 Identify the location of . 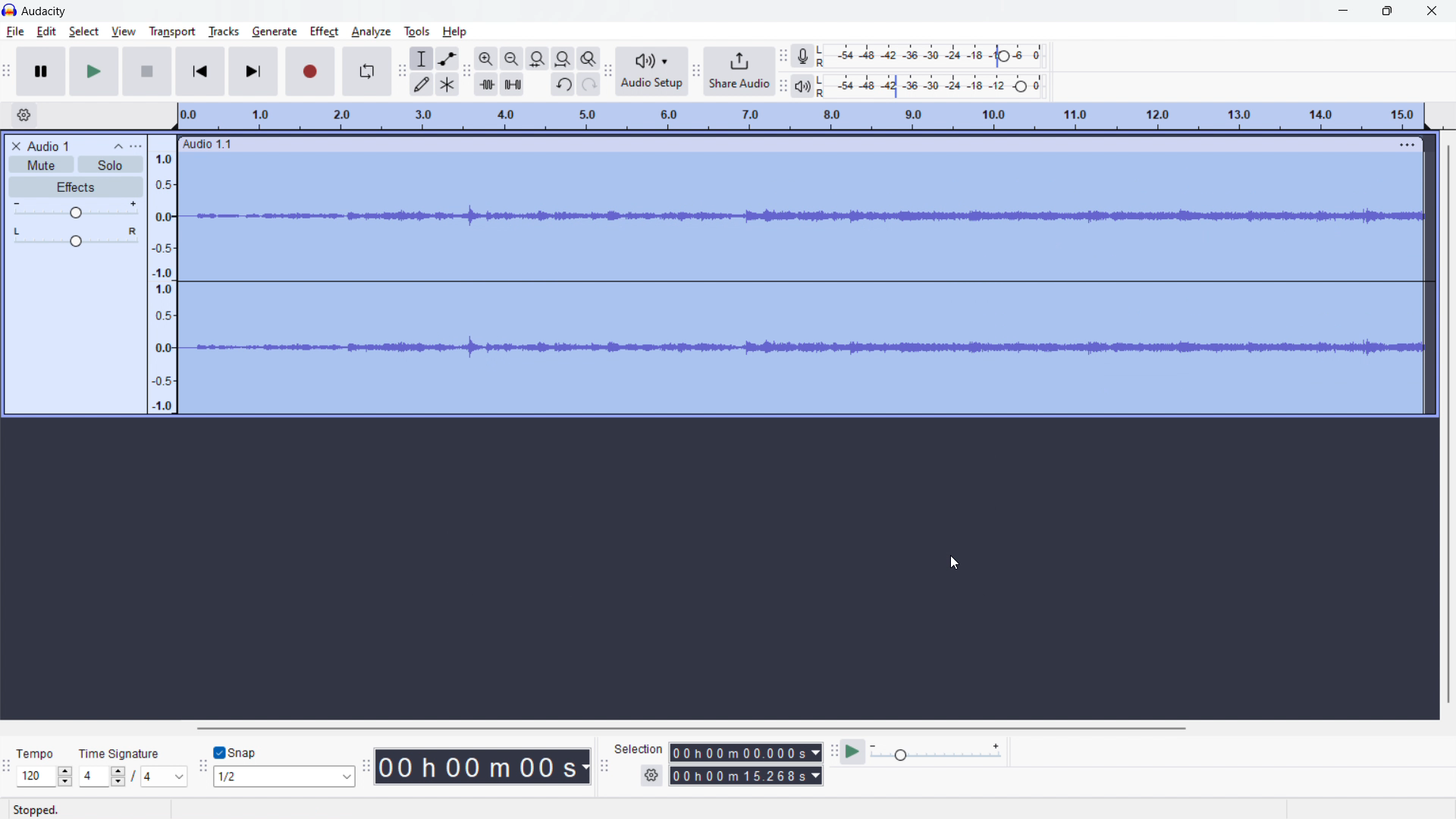
(401, 71).